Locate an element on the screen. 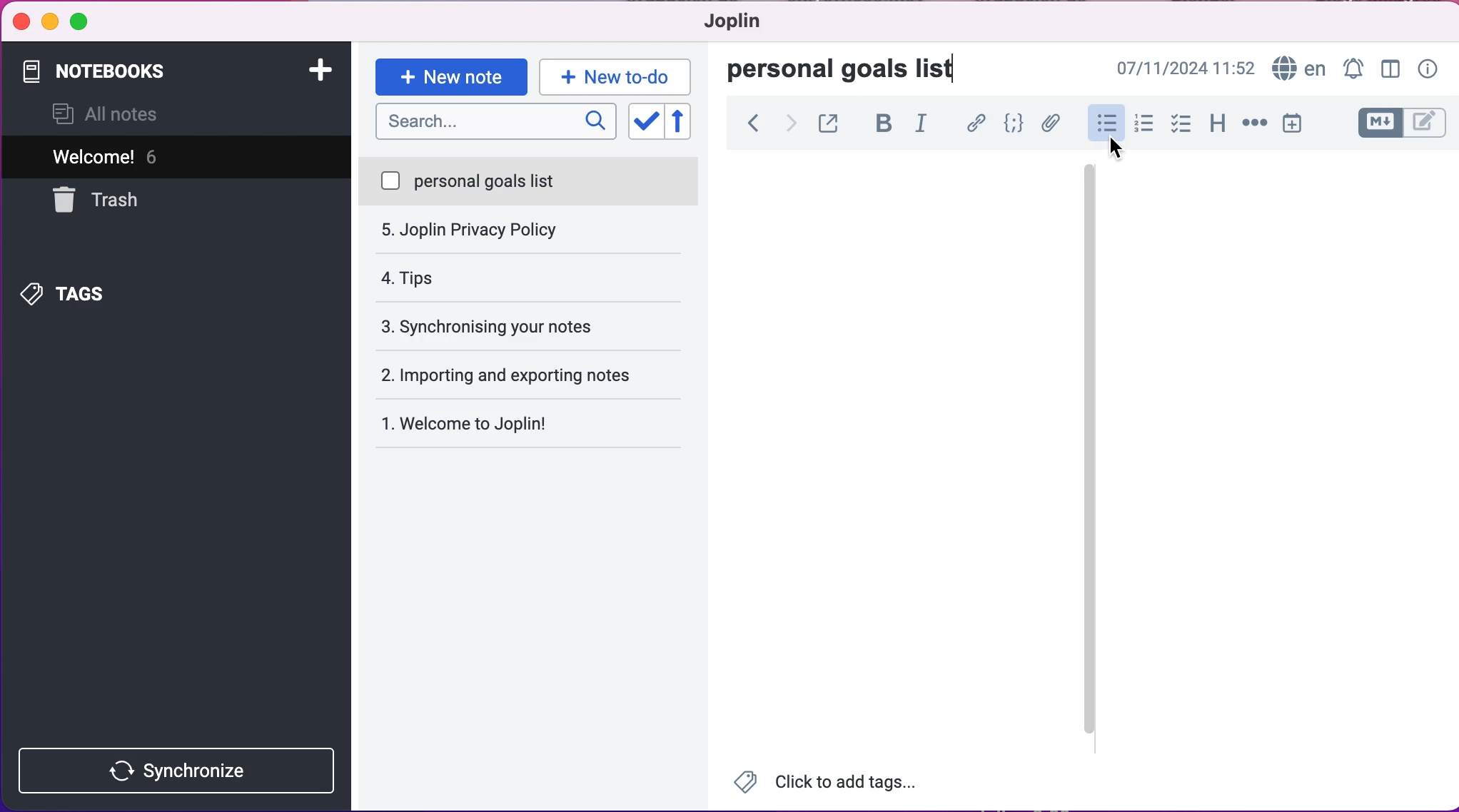 This screenshot has width=1459, height=812. synchronize is located at coordinates (181, 770).